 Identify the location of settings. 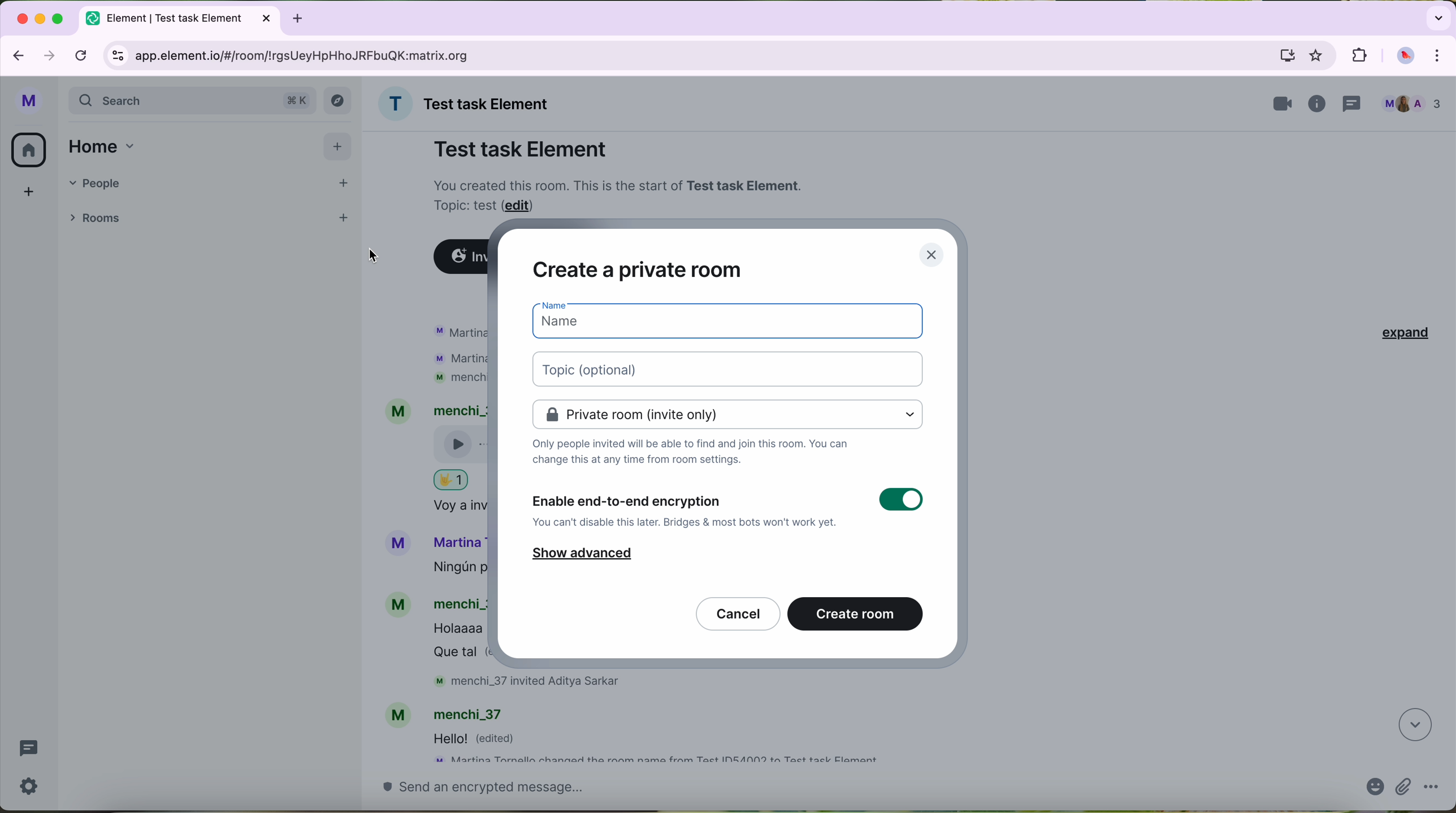
(33, 786).